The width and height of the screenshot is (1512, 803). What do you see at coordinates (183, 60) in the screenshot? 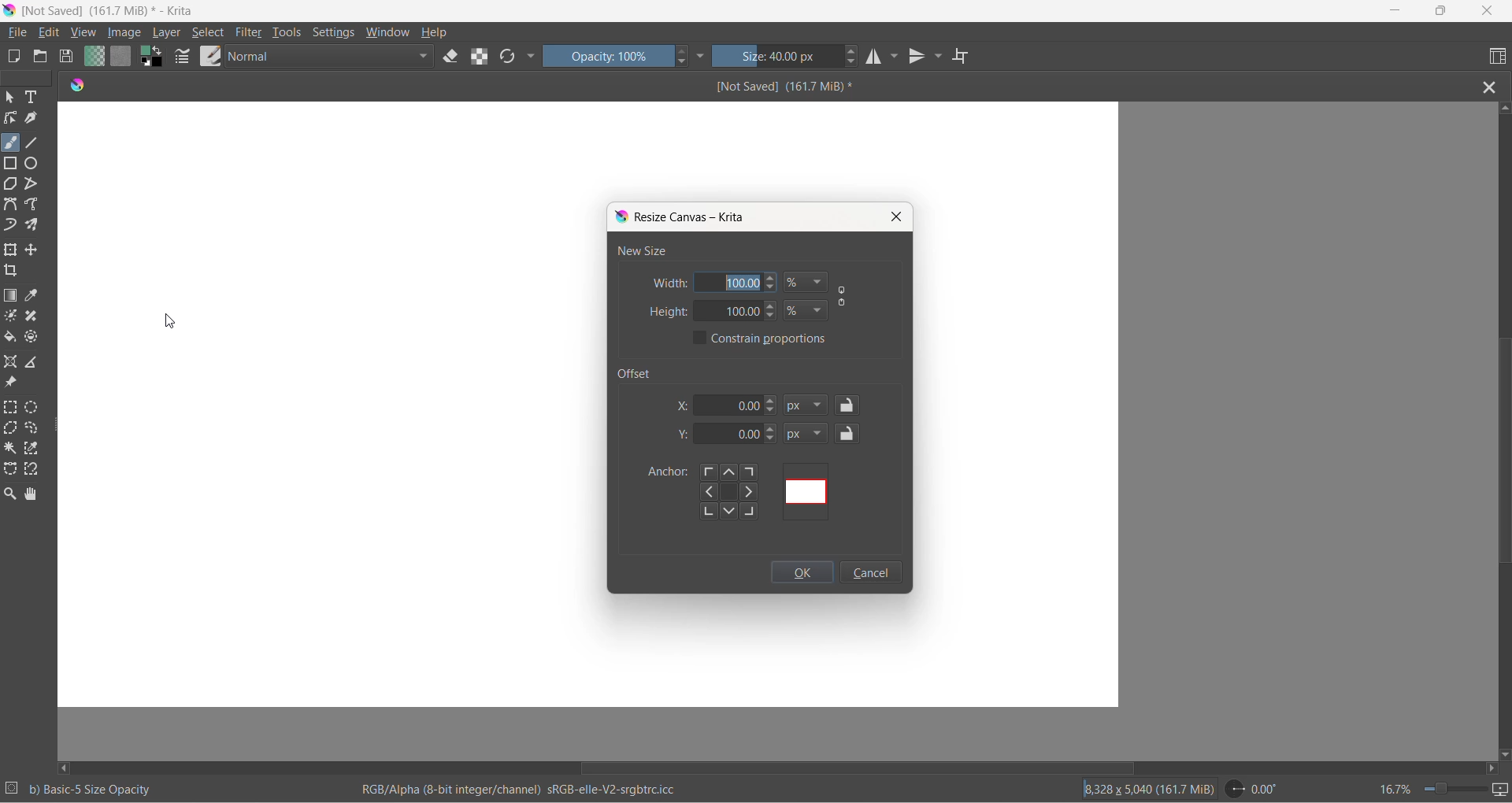
I see `brush settings` at bounding box center [183, 60].